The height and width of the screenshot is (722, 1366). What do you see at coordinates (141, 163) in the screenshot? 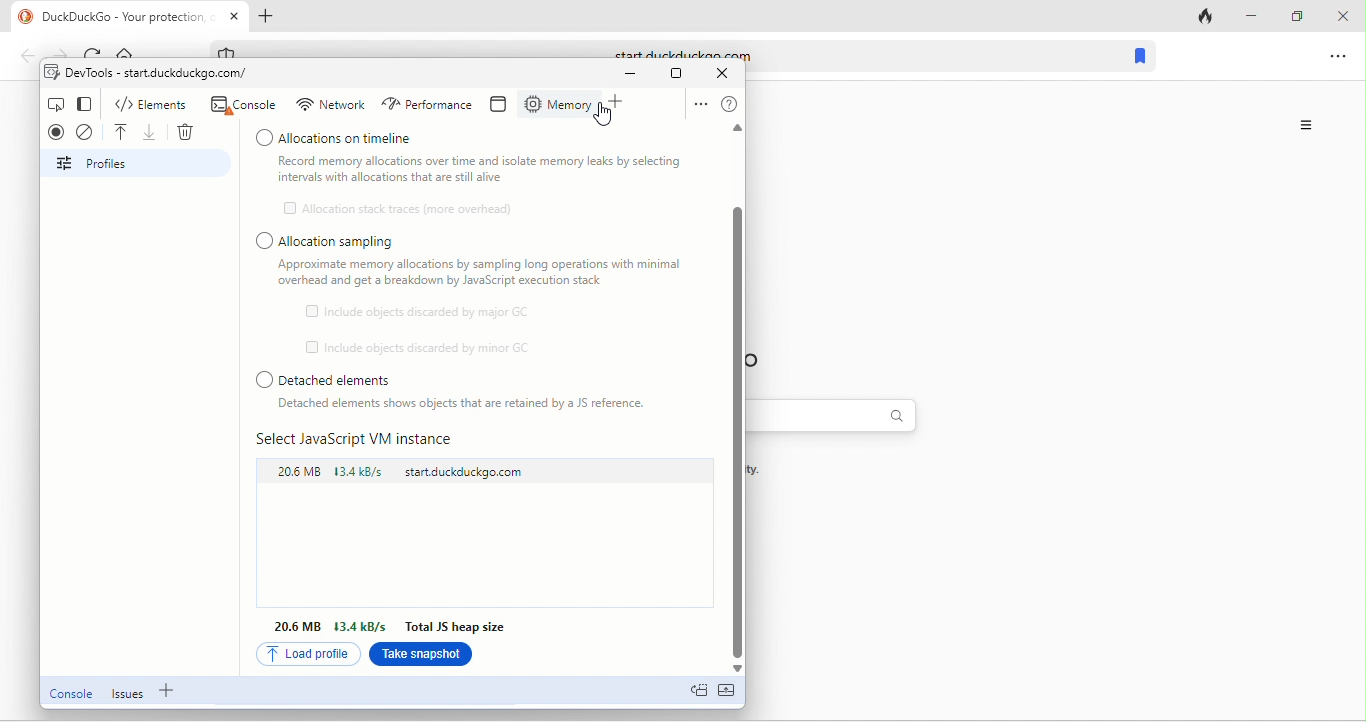
I see `profiles` at bounding box center [141, 163].